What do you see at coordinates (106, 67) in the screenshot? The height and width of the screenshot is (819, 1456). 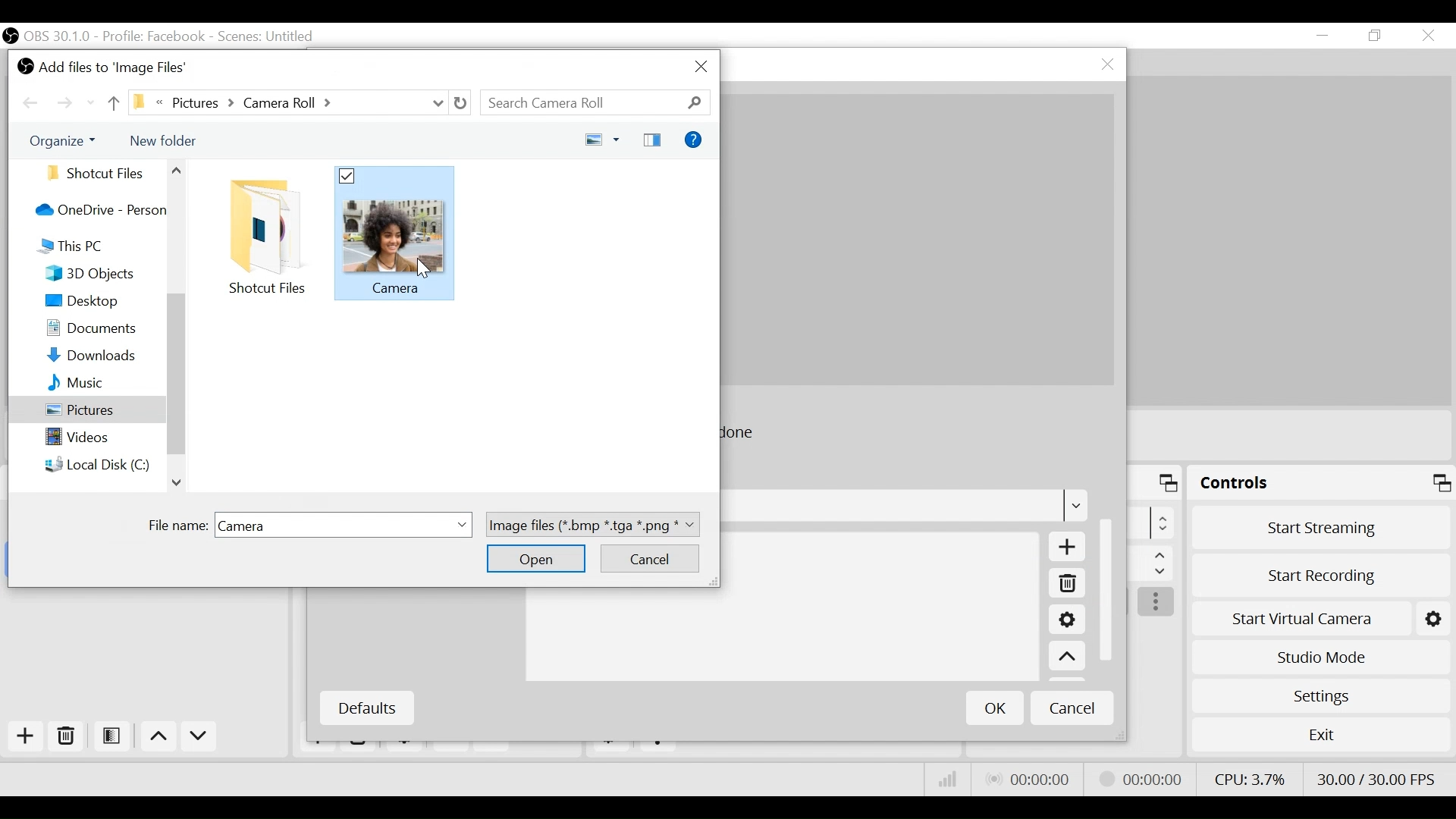 I see `Add files to Image Files` at bounding box center [106, 67].